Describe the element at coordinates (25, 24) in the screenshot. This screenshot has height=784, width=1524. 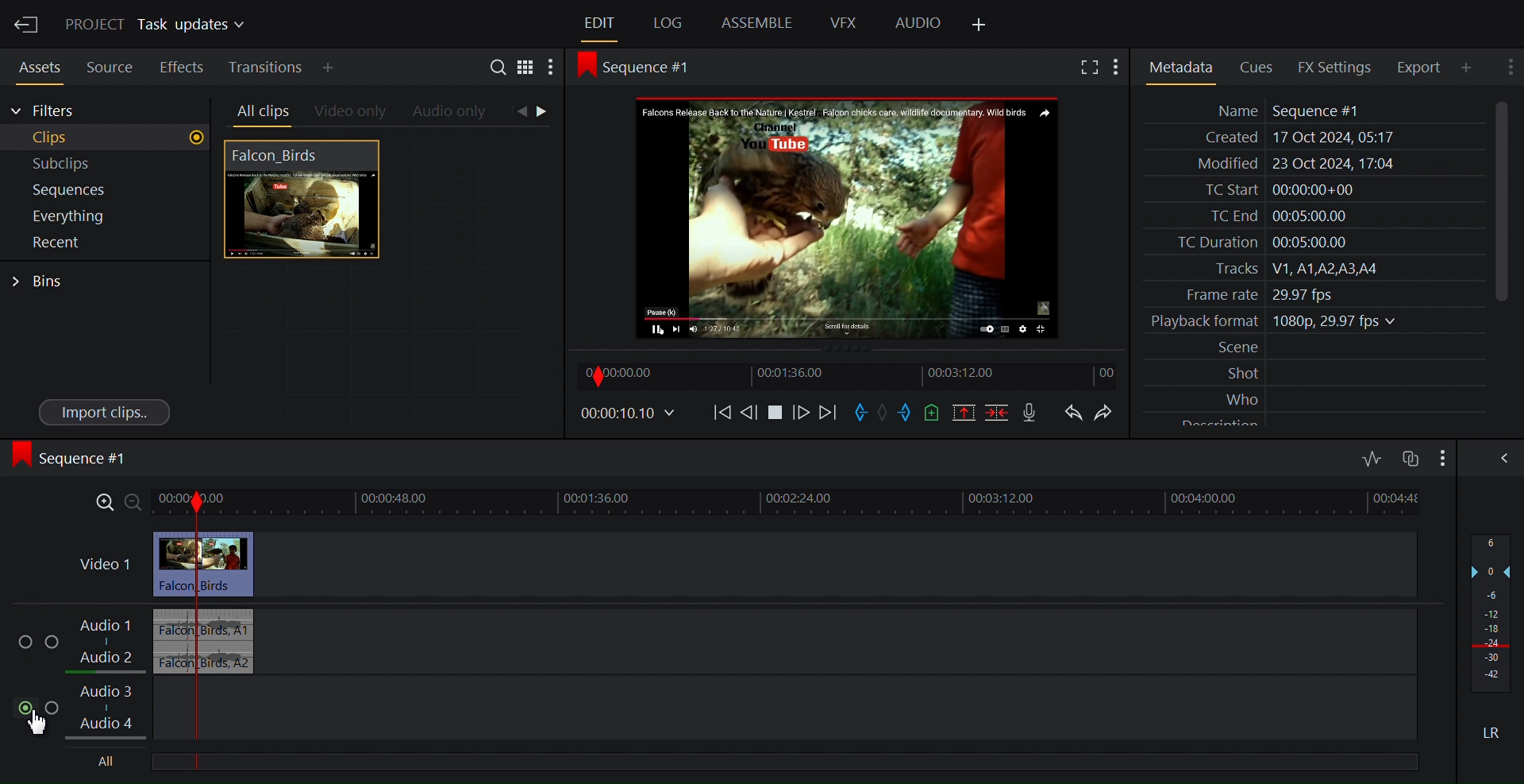
I see `Exit the current project` at that location.